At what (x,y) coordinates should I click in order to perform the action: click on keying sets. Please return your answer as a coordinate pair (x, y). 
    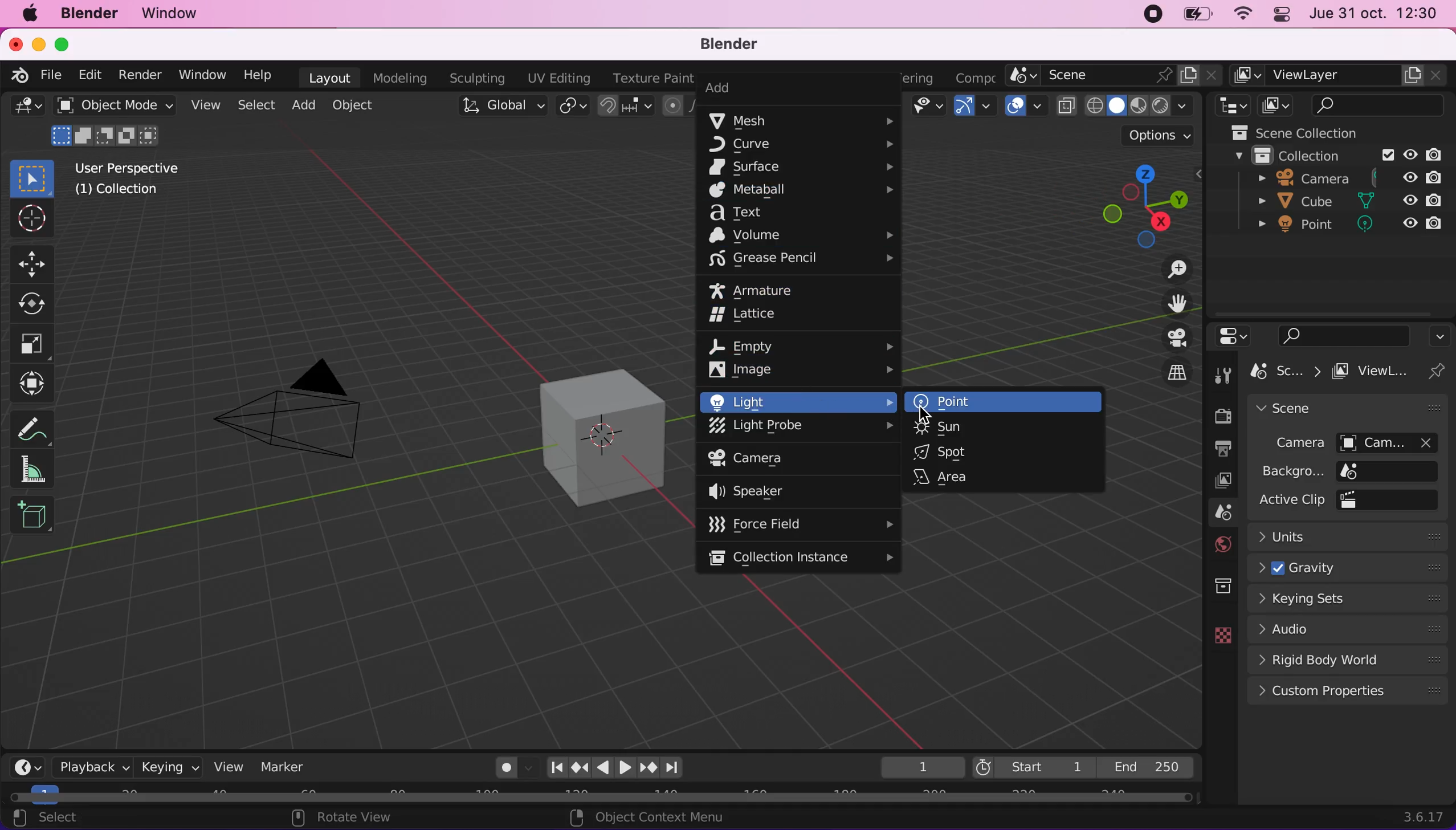
    Looking at the image, I should click on (1351, 601).